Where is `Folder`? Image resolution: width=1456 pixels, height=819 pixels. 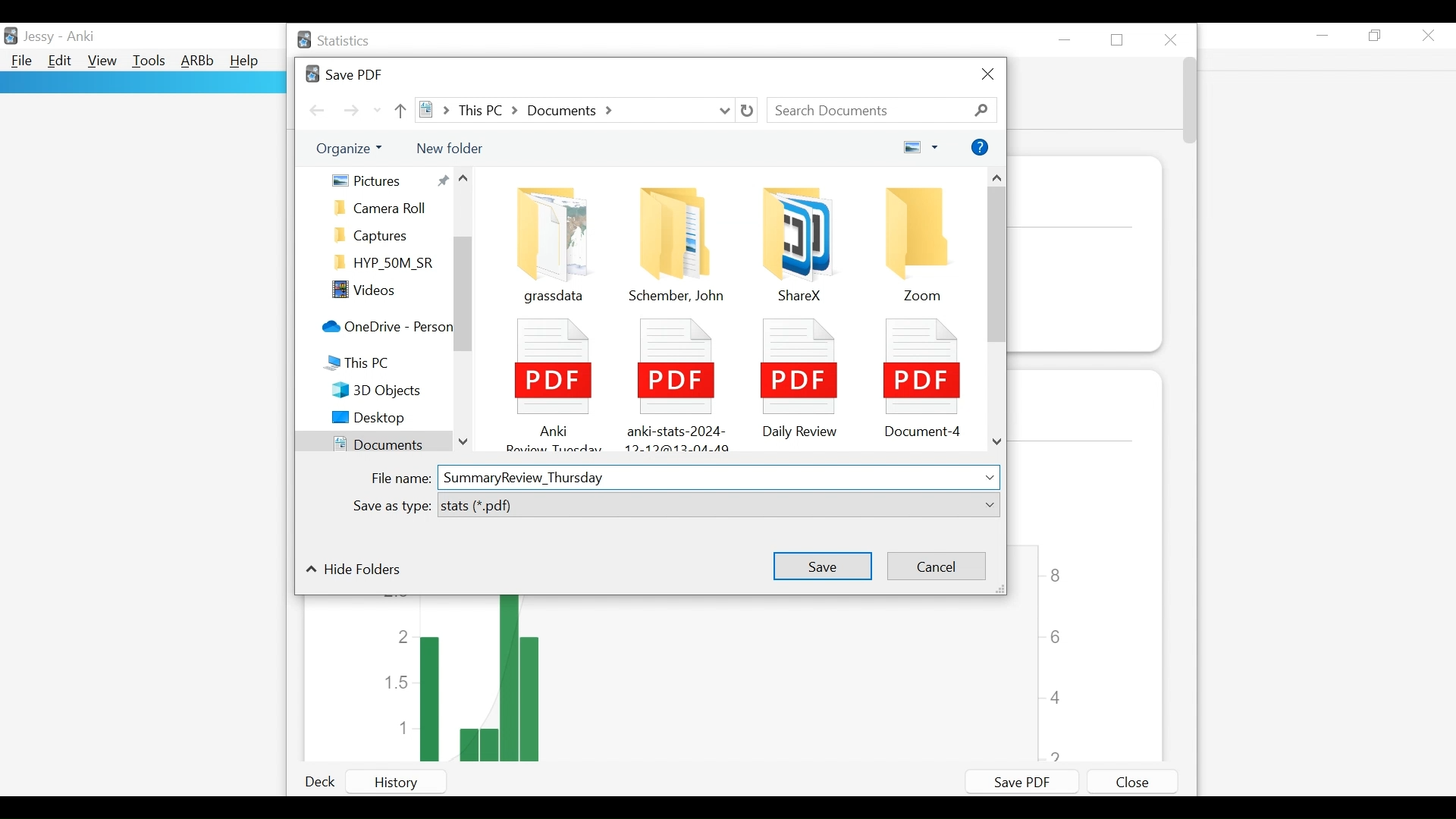 Folder is located at coordinates (385, 235).